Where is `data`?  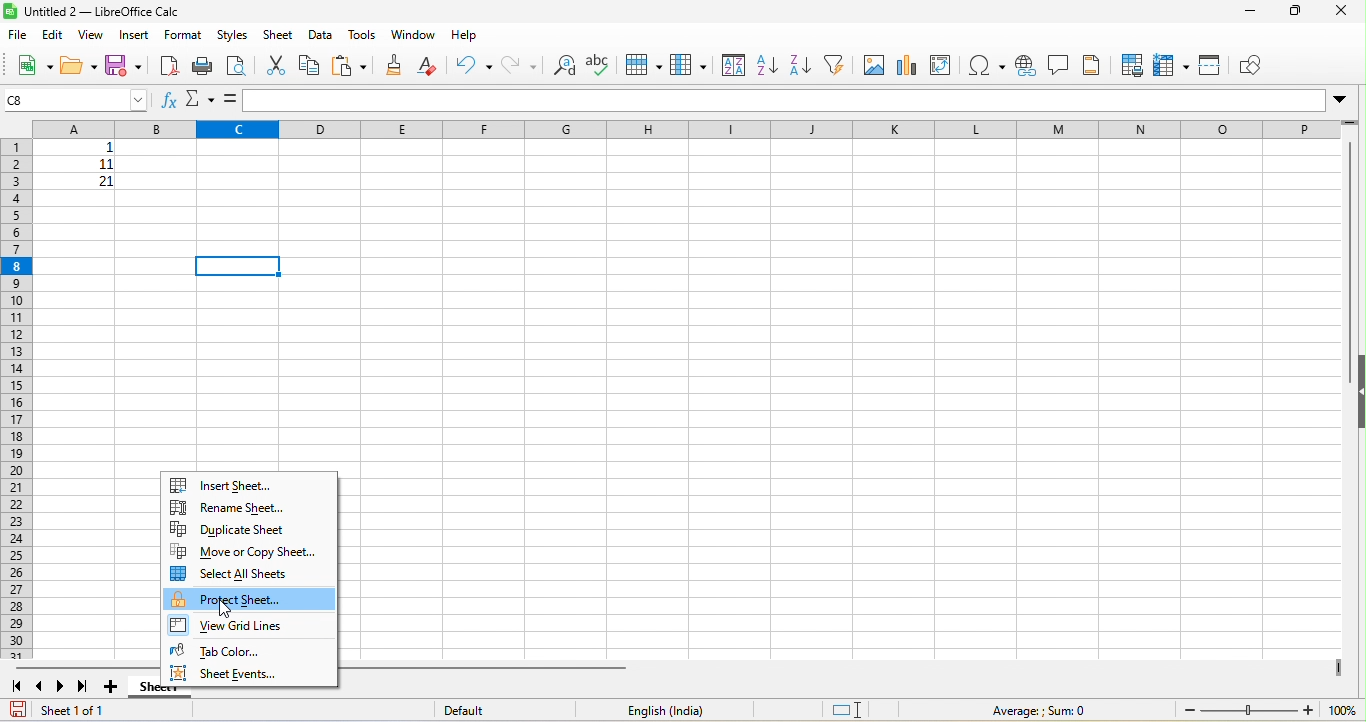
data is located at coordinates (319, 35).